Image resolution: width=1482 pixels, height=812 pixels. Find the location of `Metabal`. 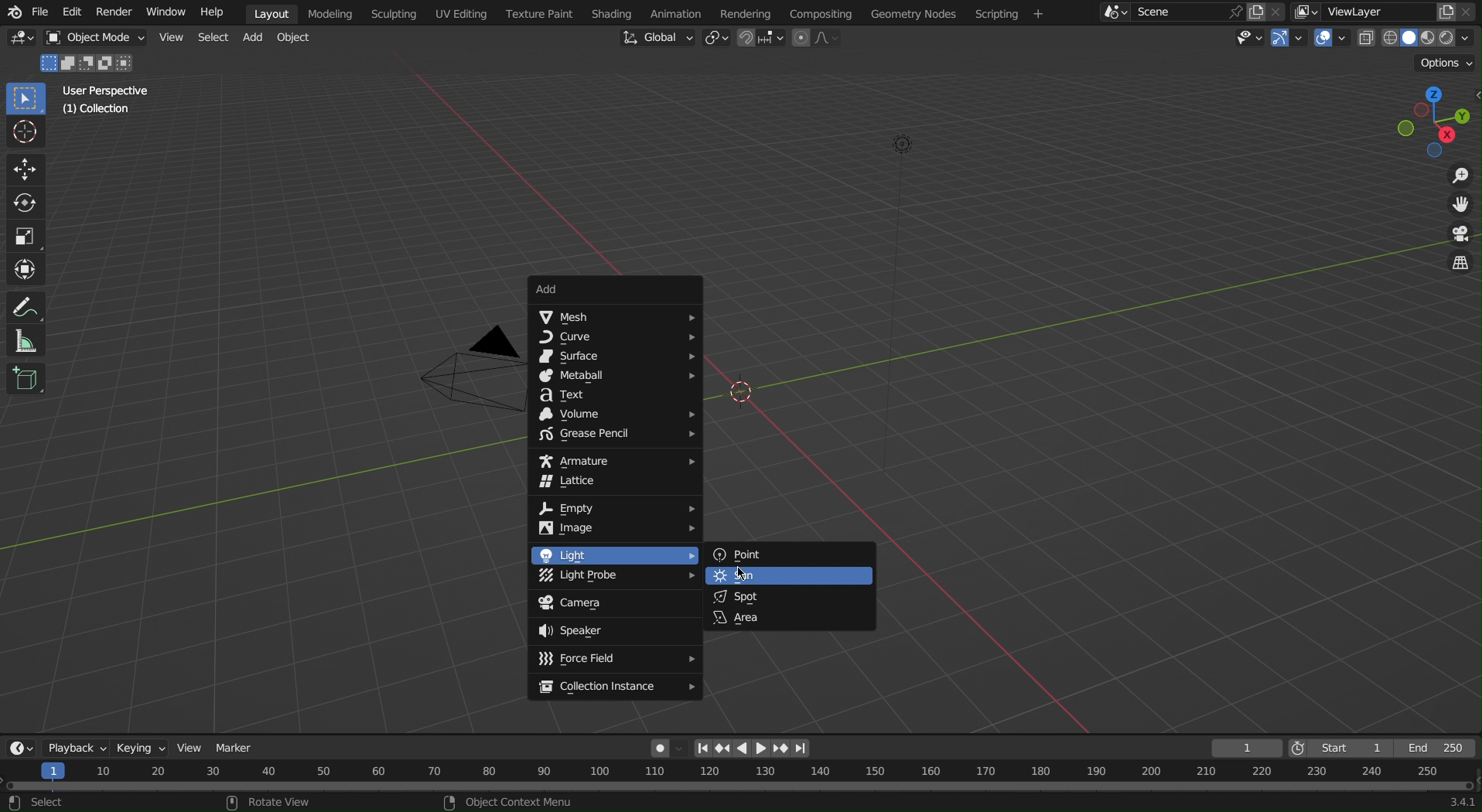

Metabal is located at coordinates (615, 377).